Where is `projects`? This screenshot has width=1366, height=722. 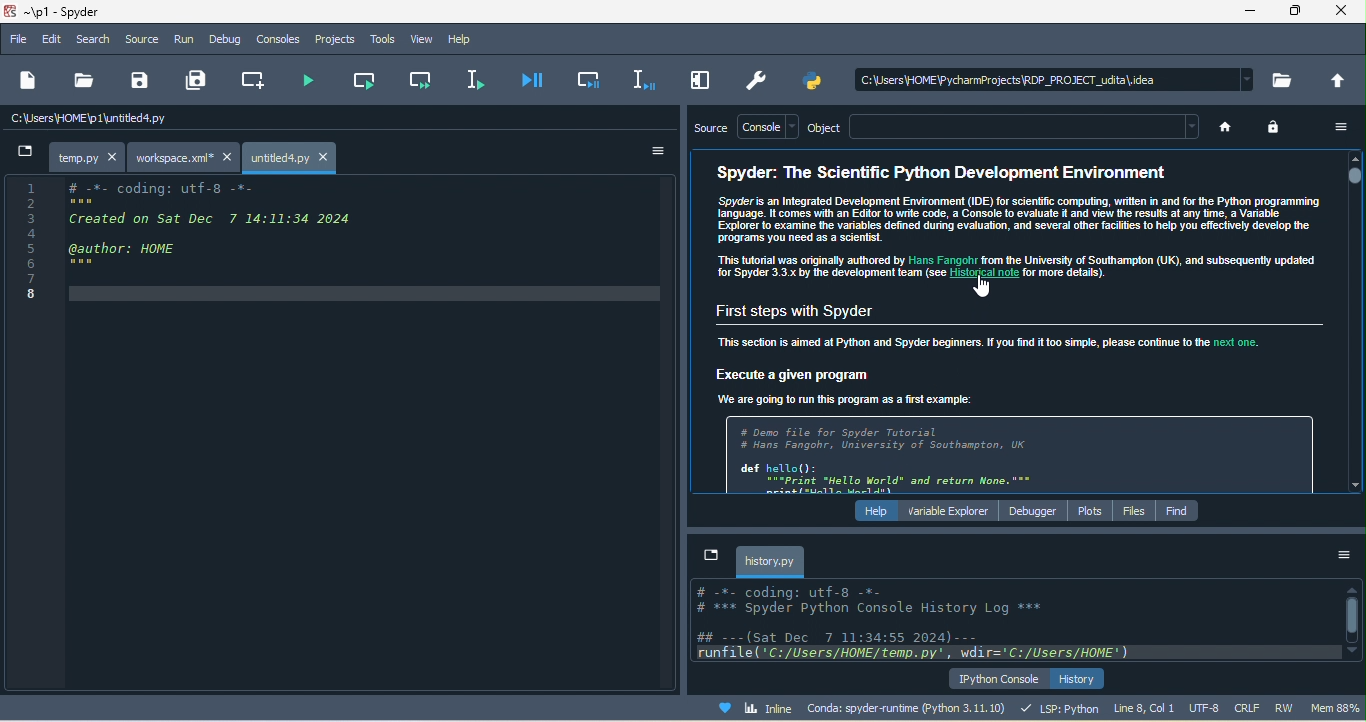 projects is located at coordinates (332, 42).